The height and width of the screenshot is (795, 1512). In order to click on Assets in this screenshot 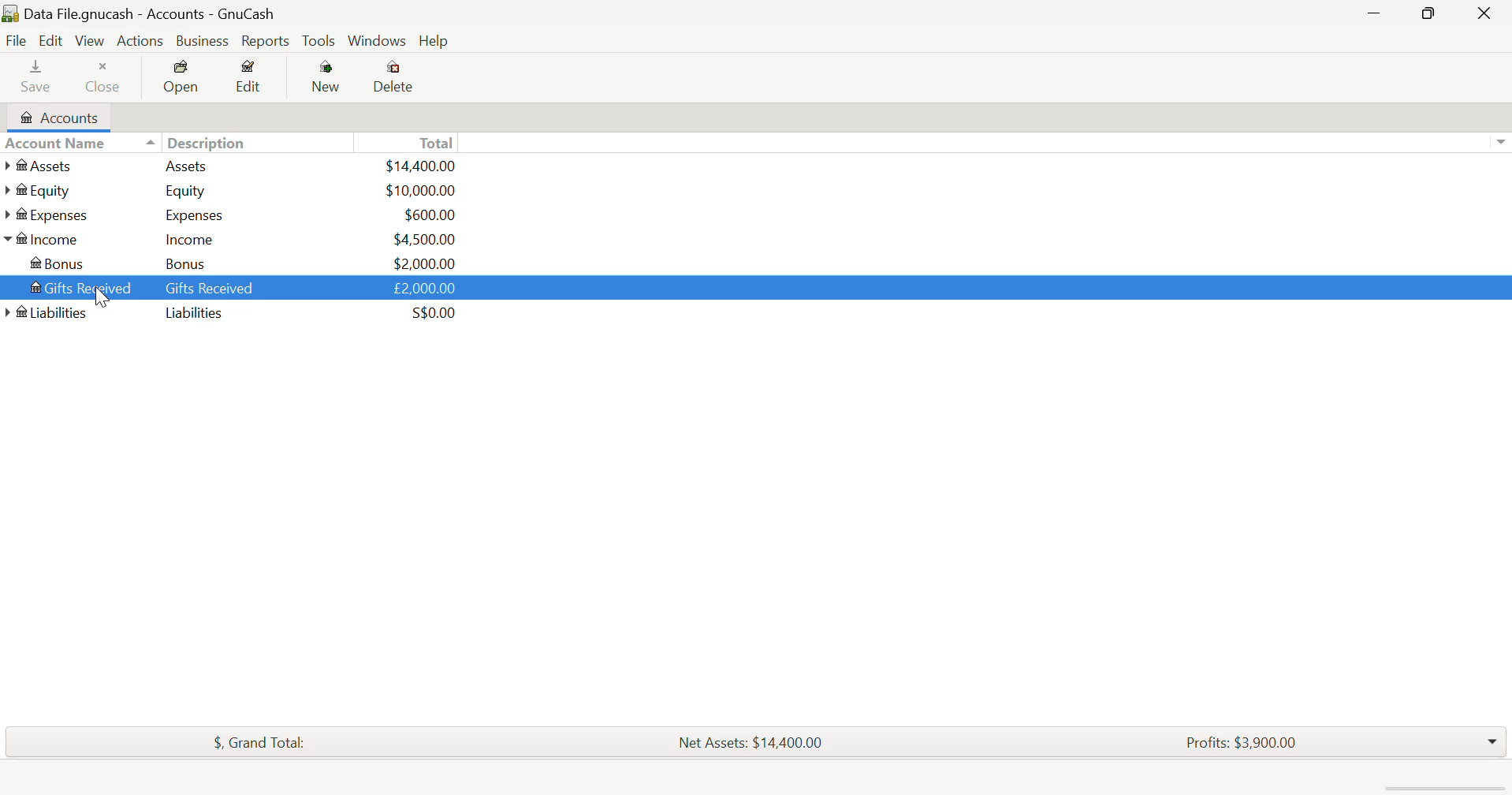, I will do `click(185, 166)`.